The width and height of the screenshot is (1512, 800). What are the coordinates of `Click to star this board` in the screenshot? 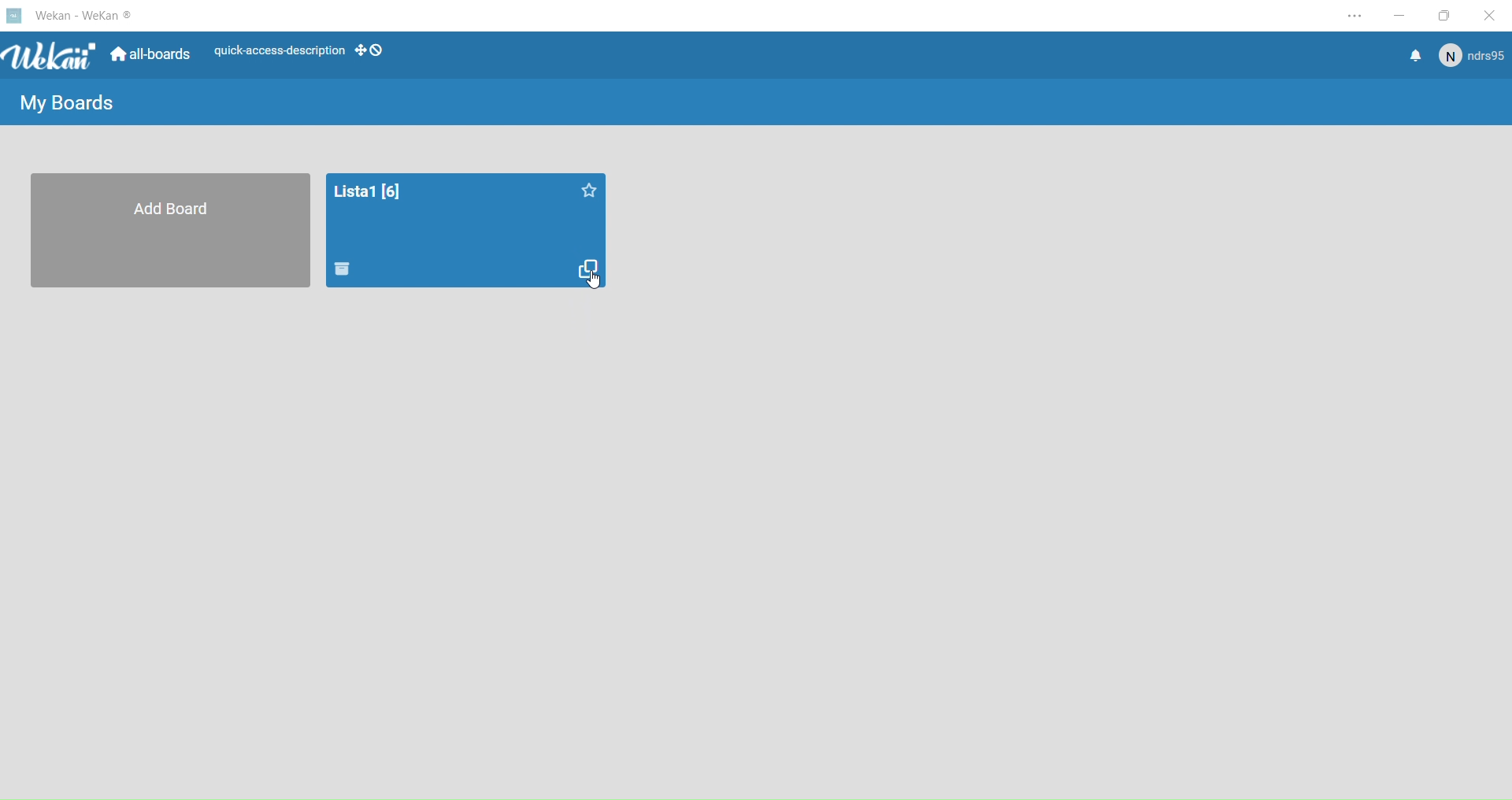 It's located at (587, 189).